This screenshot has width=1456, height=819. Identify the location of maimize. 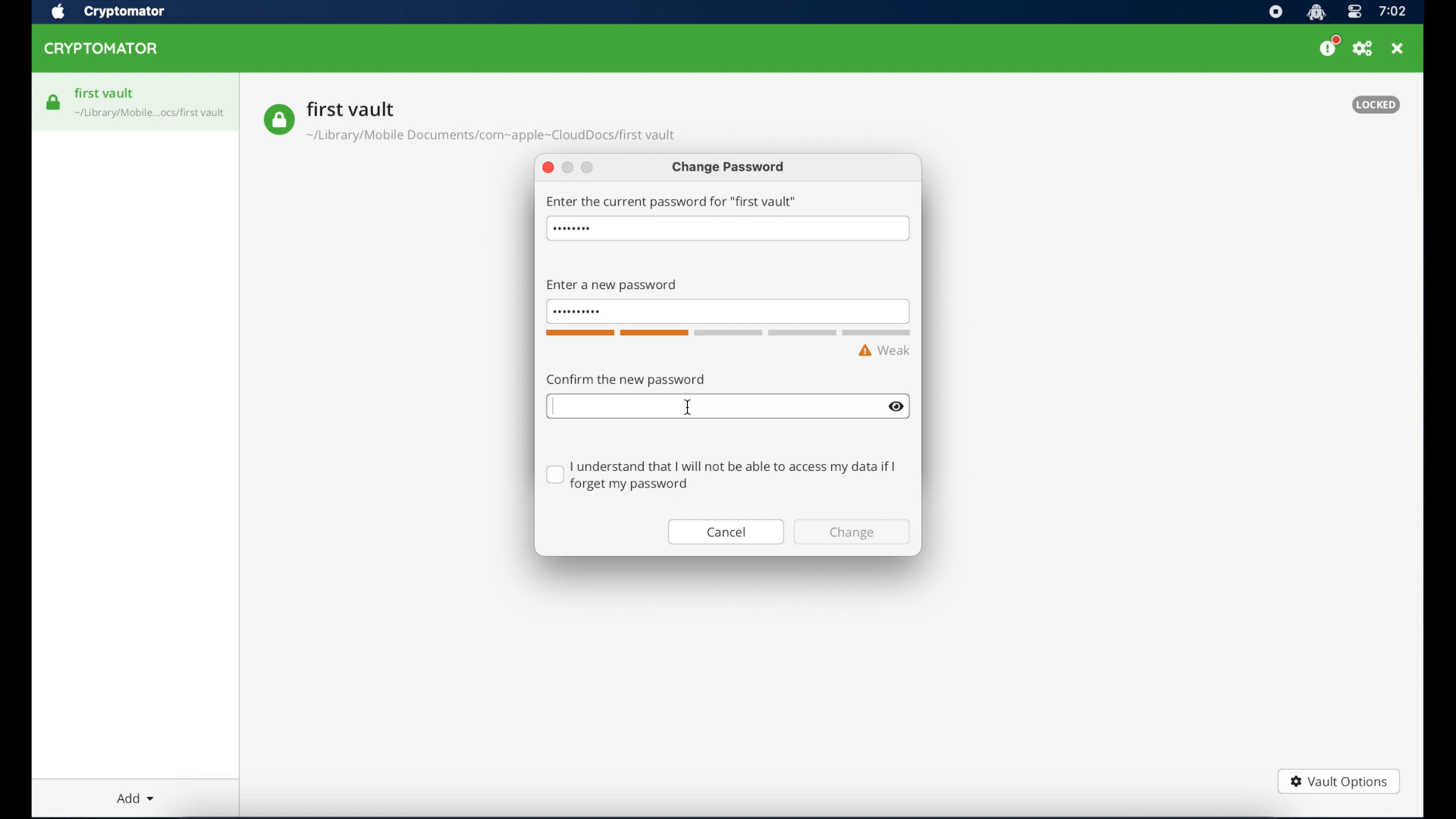
(587, 168).